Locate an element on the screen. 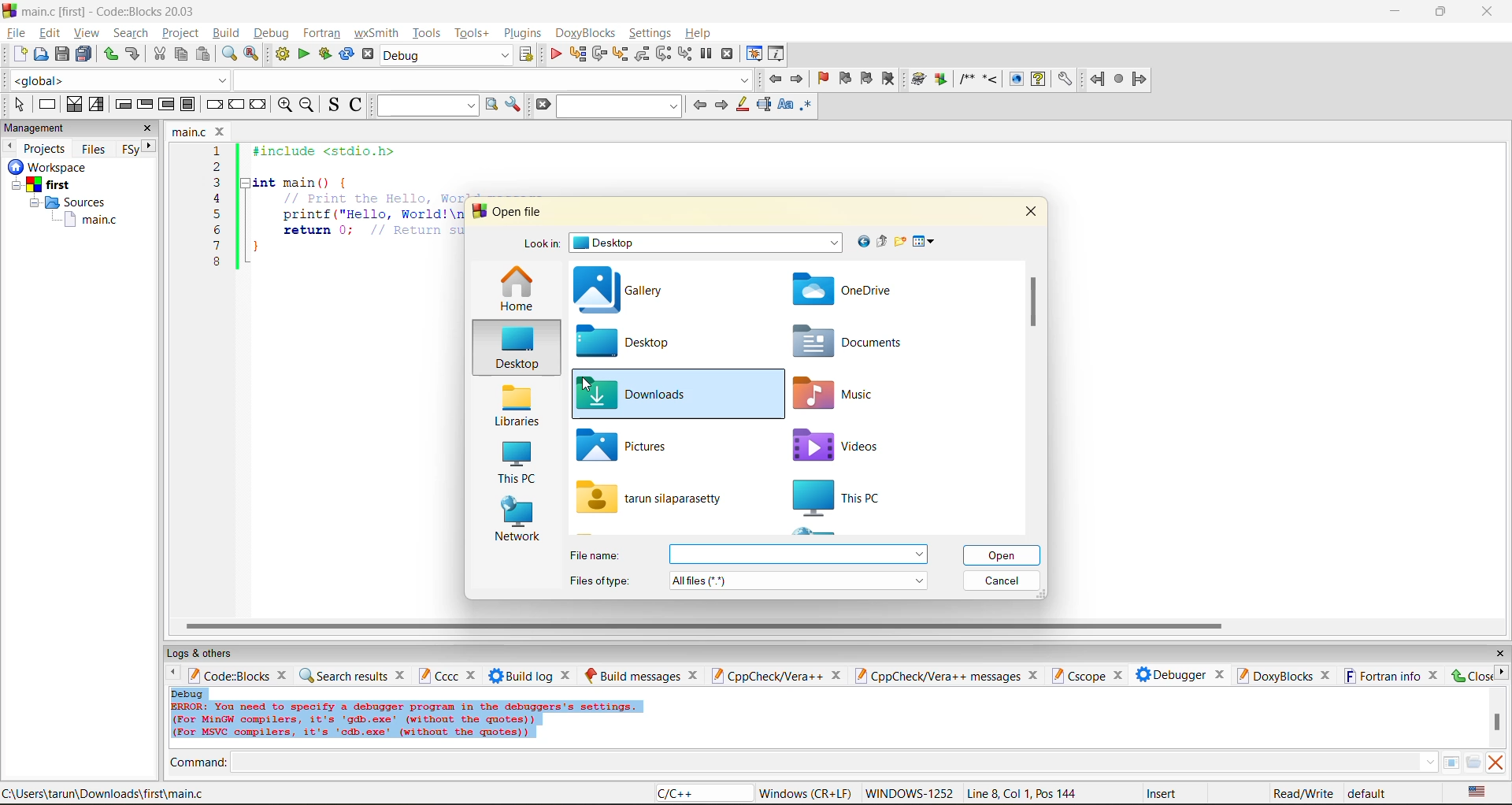   is located at coordinates (44, 167).